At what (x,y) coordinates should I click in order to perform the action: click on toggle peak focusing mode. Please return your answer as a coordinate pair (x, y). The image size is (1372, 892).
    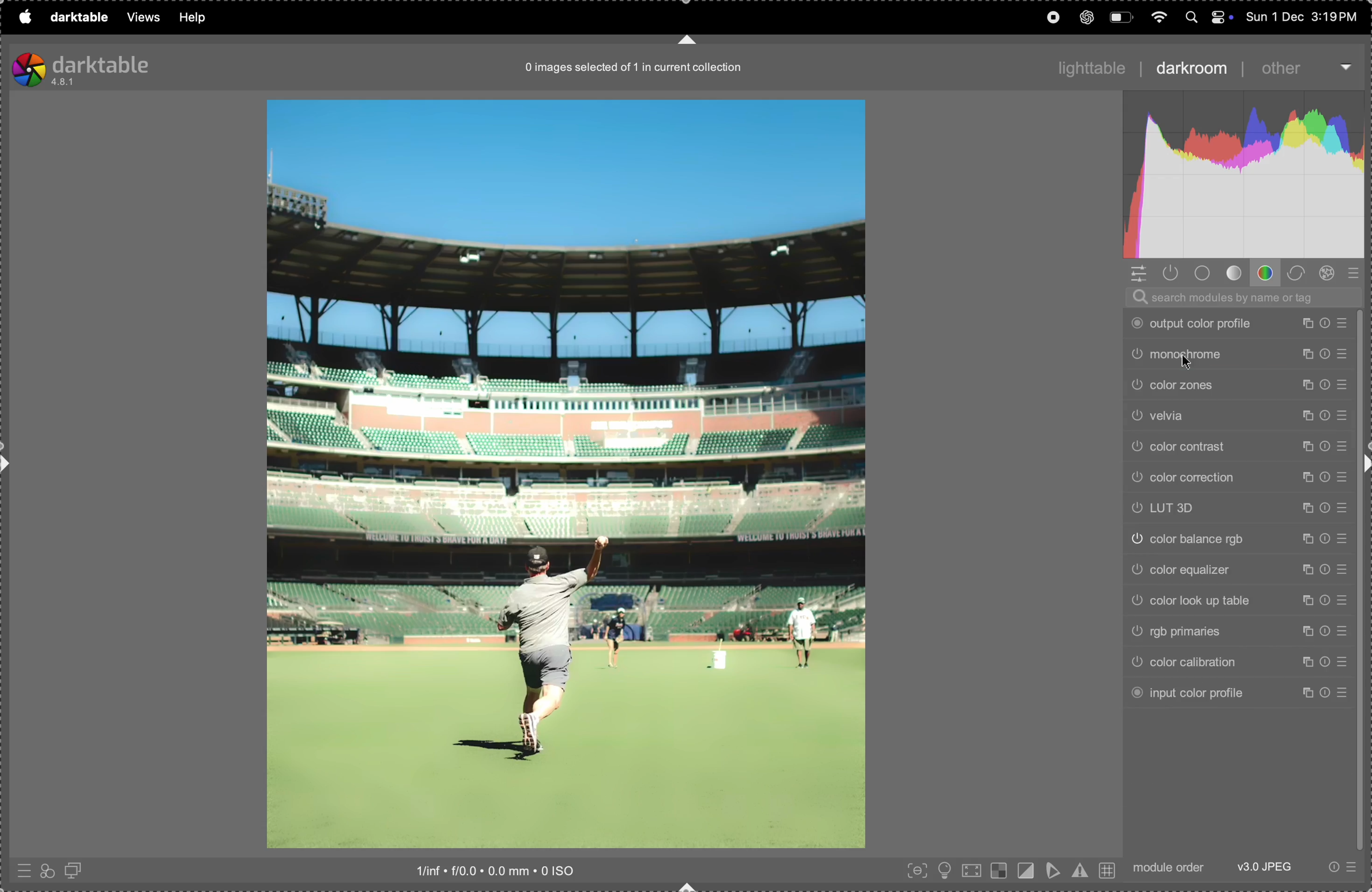
    Looking at the image, I should click on (914, 871).